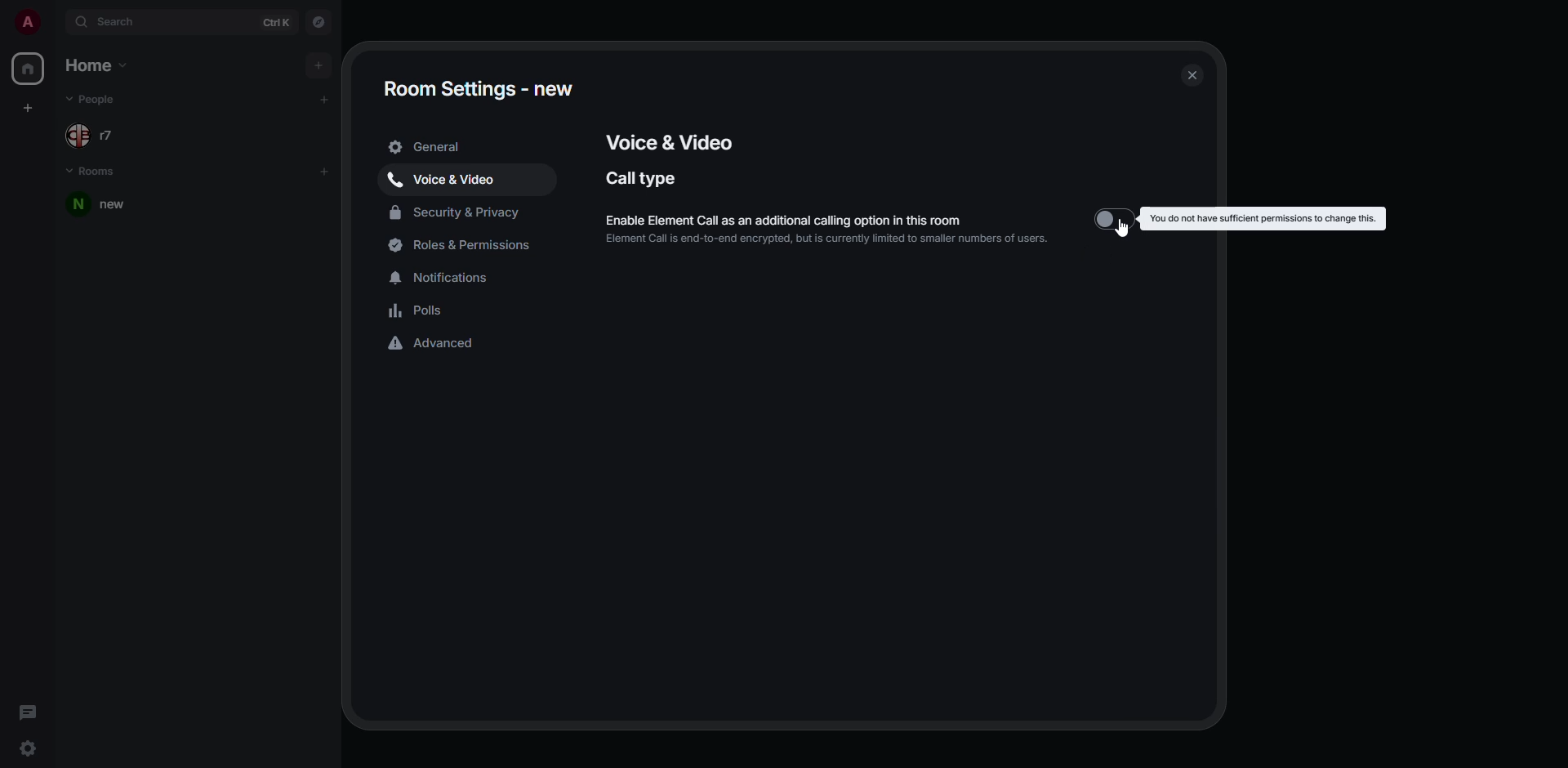  What do you see at coordinates (325, 171) in the screenshot?
I see `add` at bounding box center [325, 171].